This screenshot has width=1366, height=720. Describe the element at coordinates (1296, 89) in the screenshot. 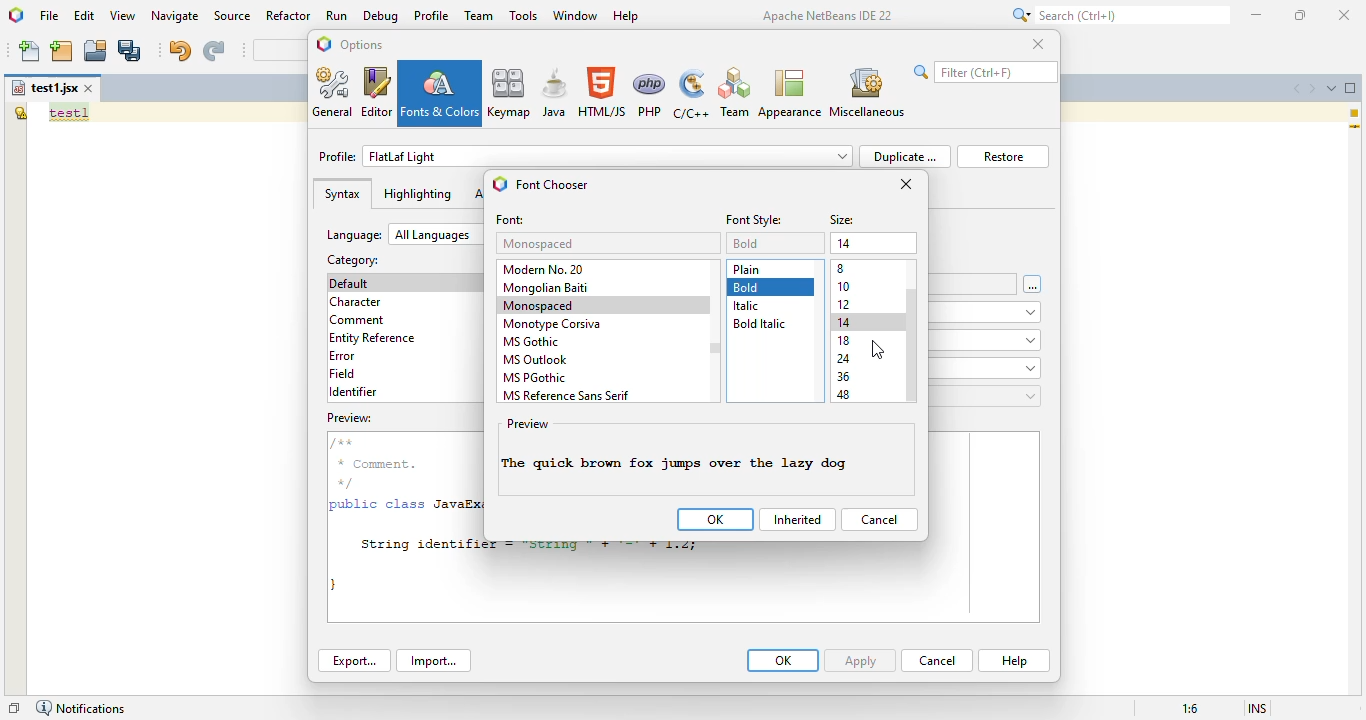

I see `scroll documents left` at that location.